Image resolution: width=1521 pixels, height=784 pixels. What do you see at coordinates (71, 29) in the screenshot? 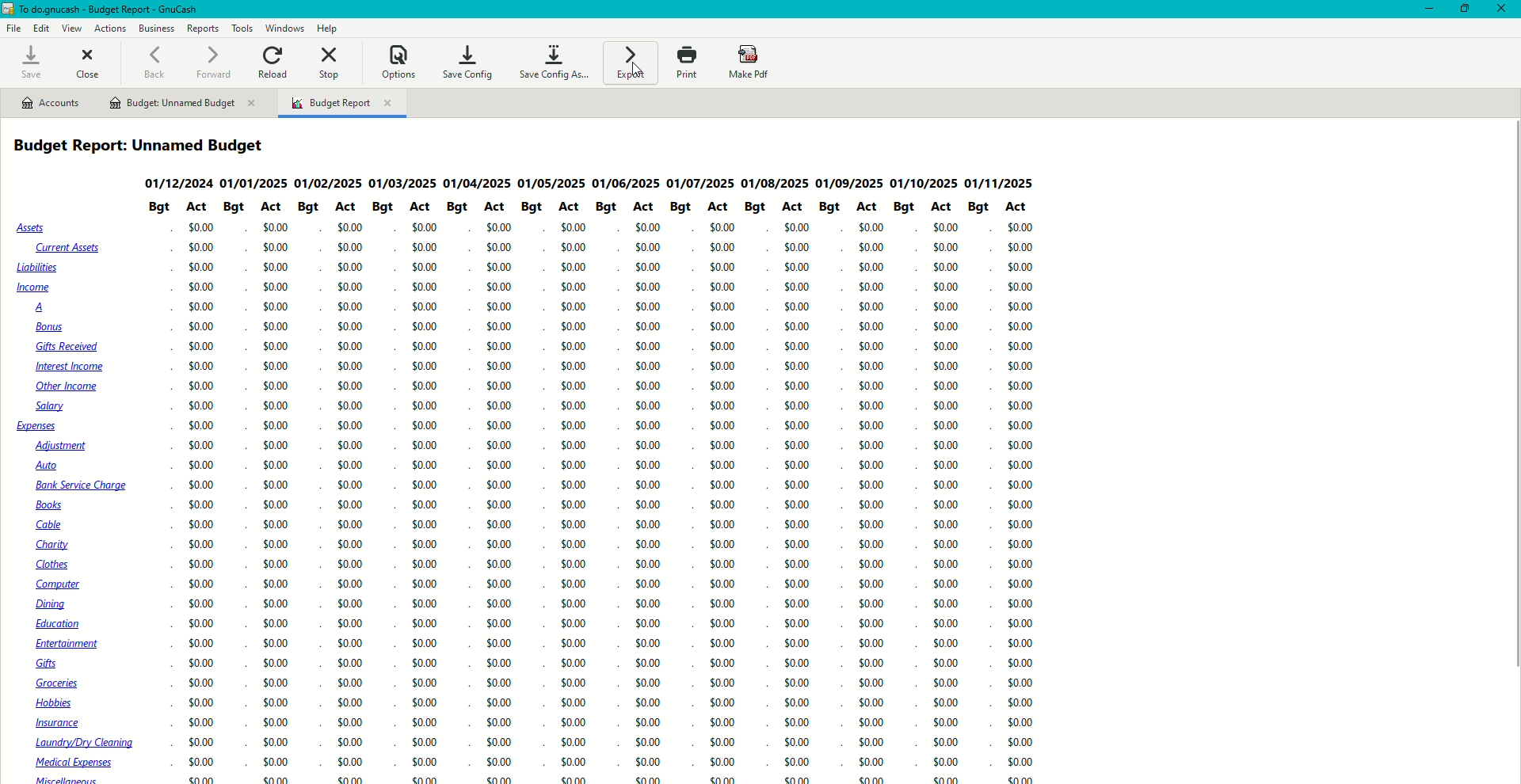
I see `View` at bounding box center [71, 29].